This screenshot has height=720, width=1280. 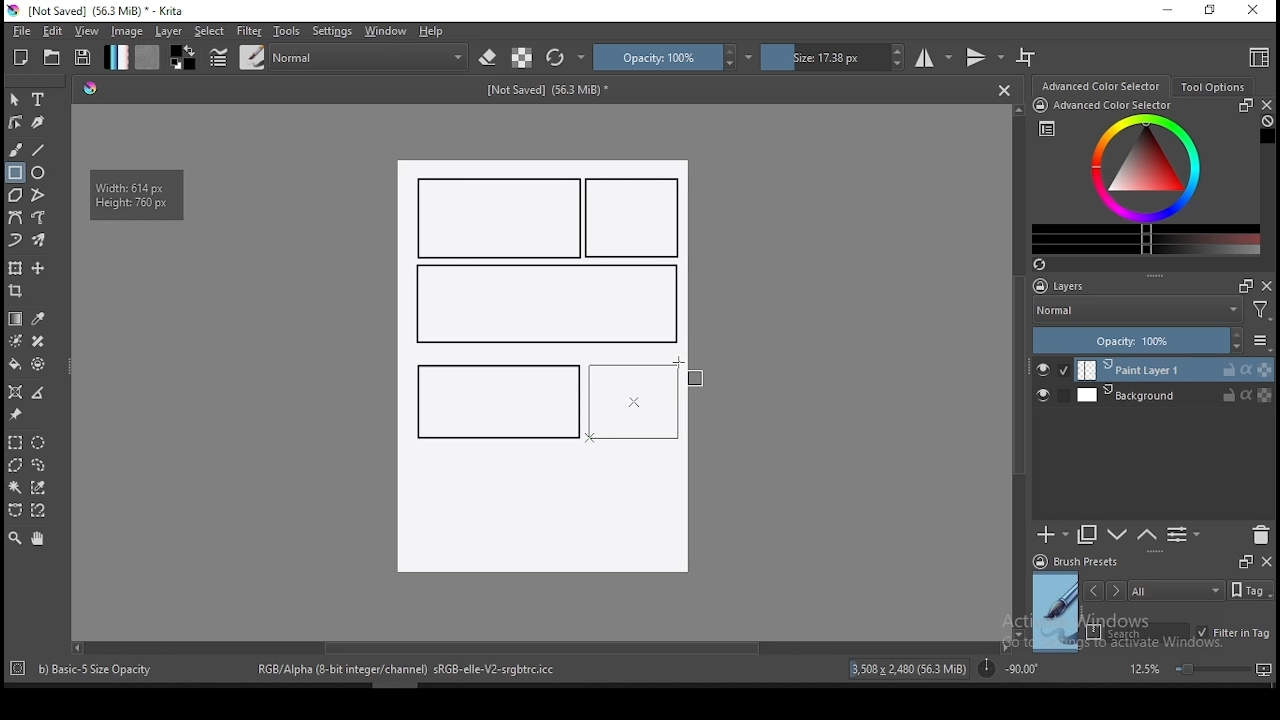 I want to click on layer visibility on/off, so click(x=1048, y=397).